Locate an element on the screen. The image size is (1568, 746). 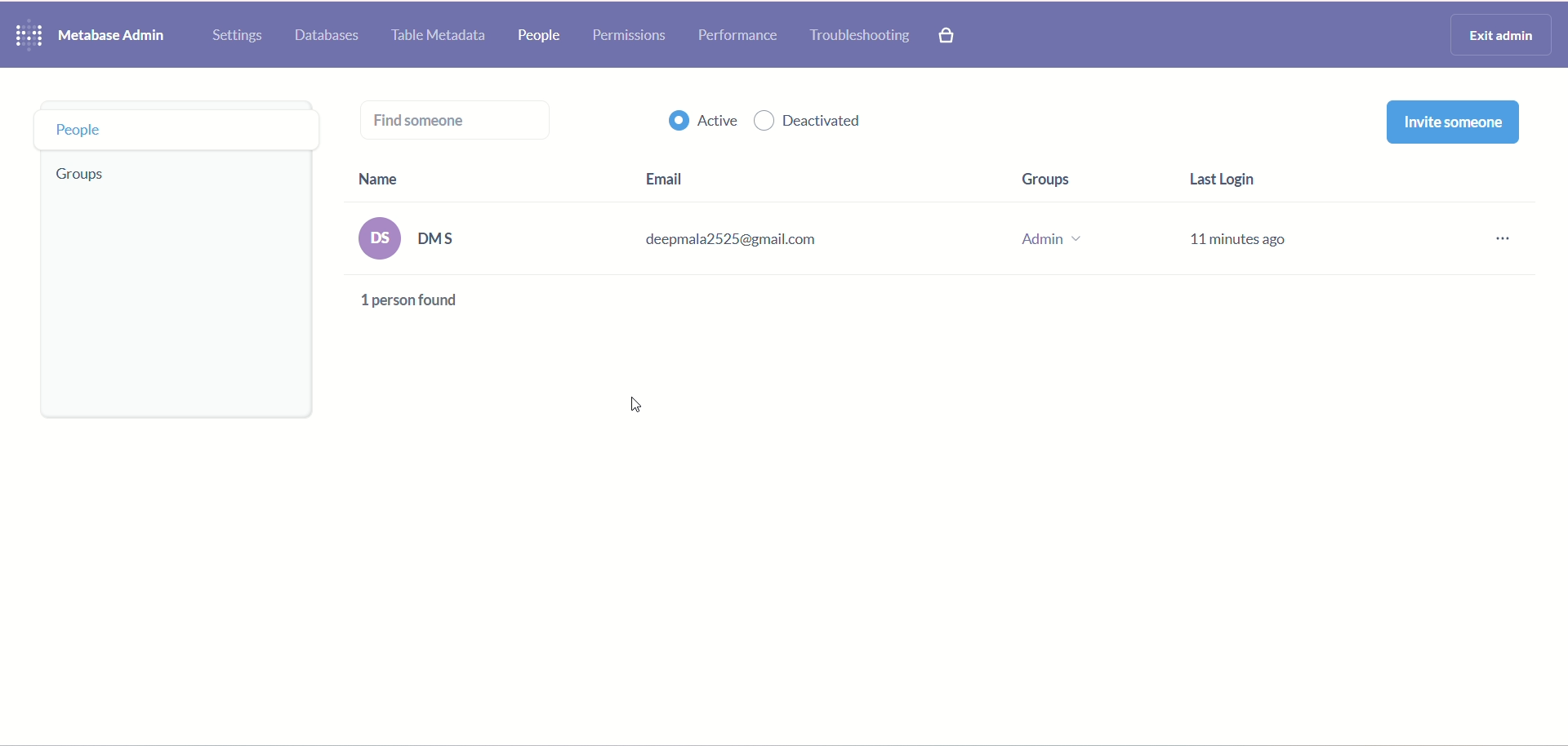
active is located at coordinates (693, 121).